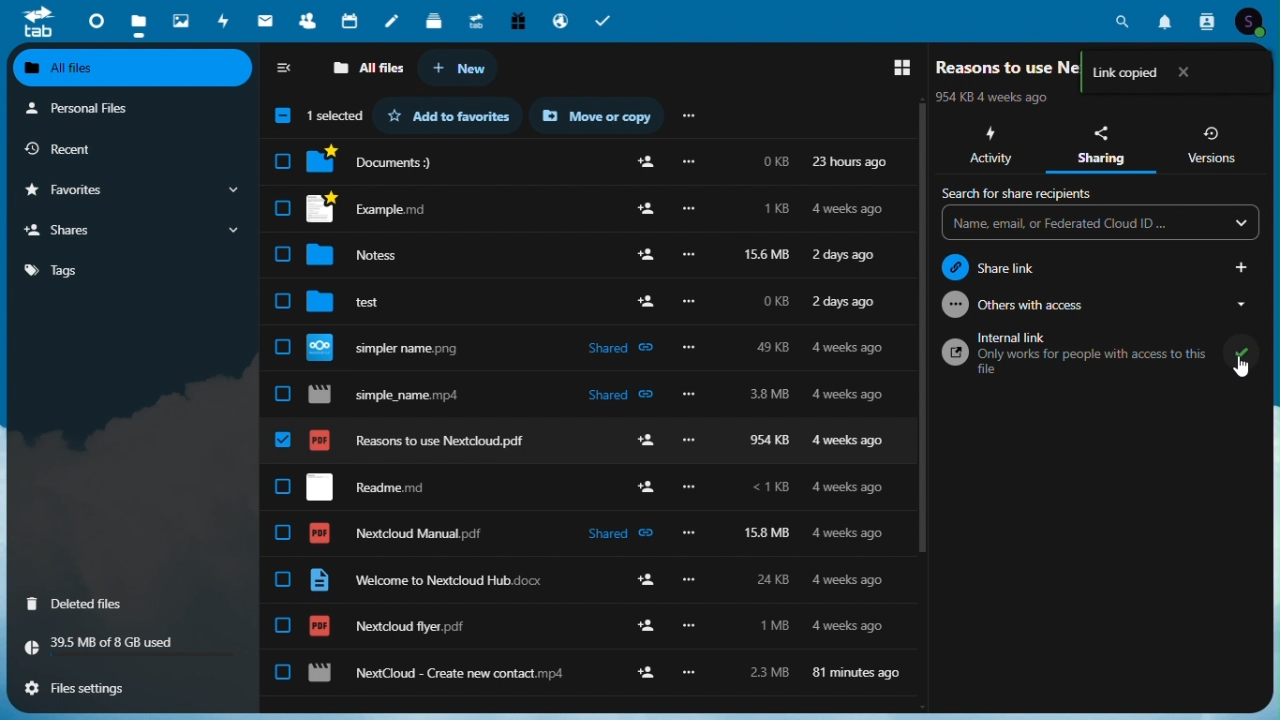  What do you see at coordinates (616, 395) in the screenshot?
I see `shared` at bounding box center [616, 395].